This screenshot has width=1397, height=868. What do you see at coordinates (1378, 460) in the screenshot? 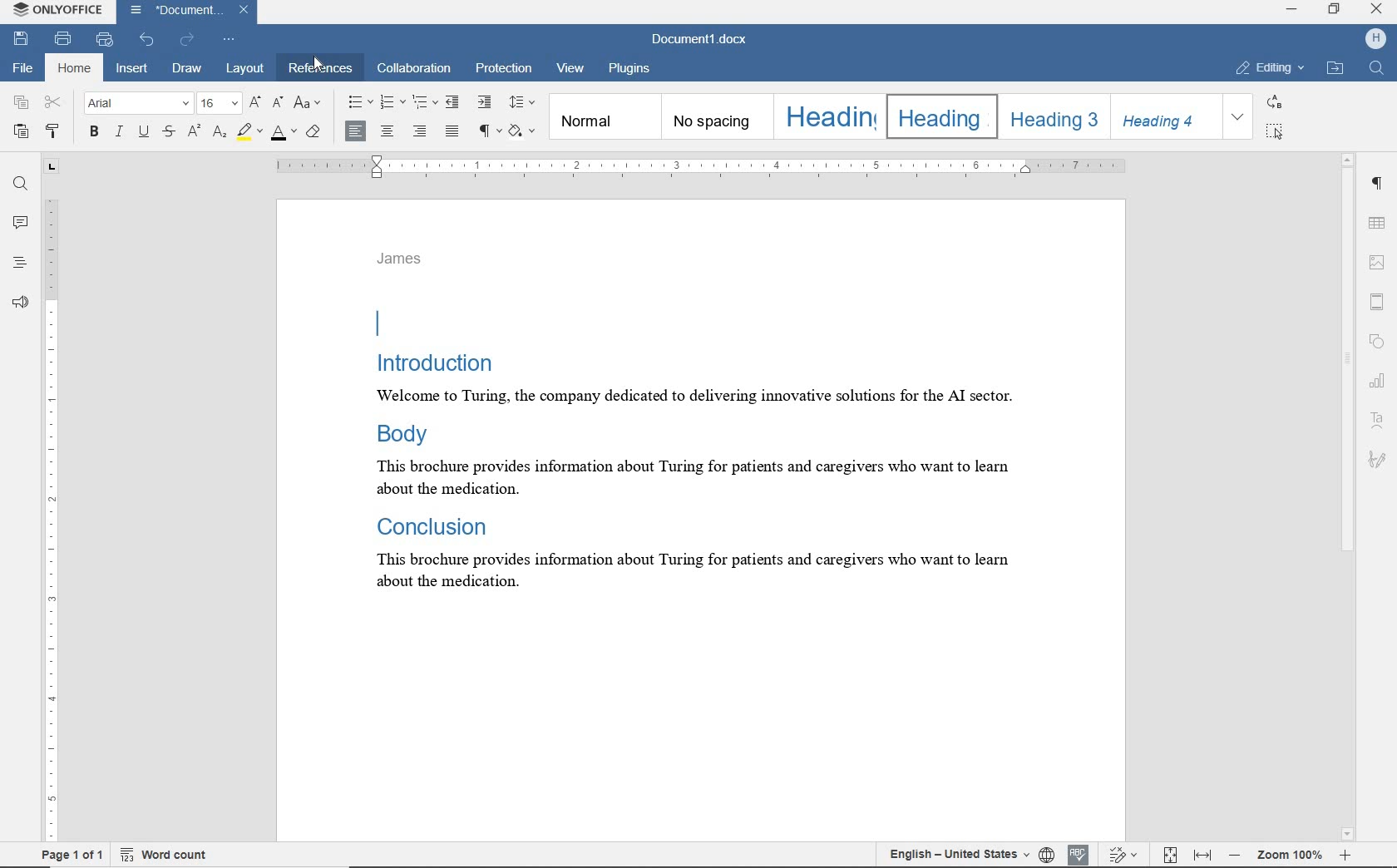
I see `signature` at bounding box center [1378, 460].